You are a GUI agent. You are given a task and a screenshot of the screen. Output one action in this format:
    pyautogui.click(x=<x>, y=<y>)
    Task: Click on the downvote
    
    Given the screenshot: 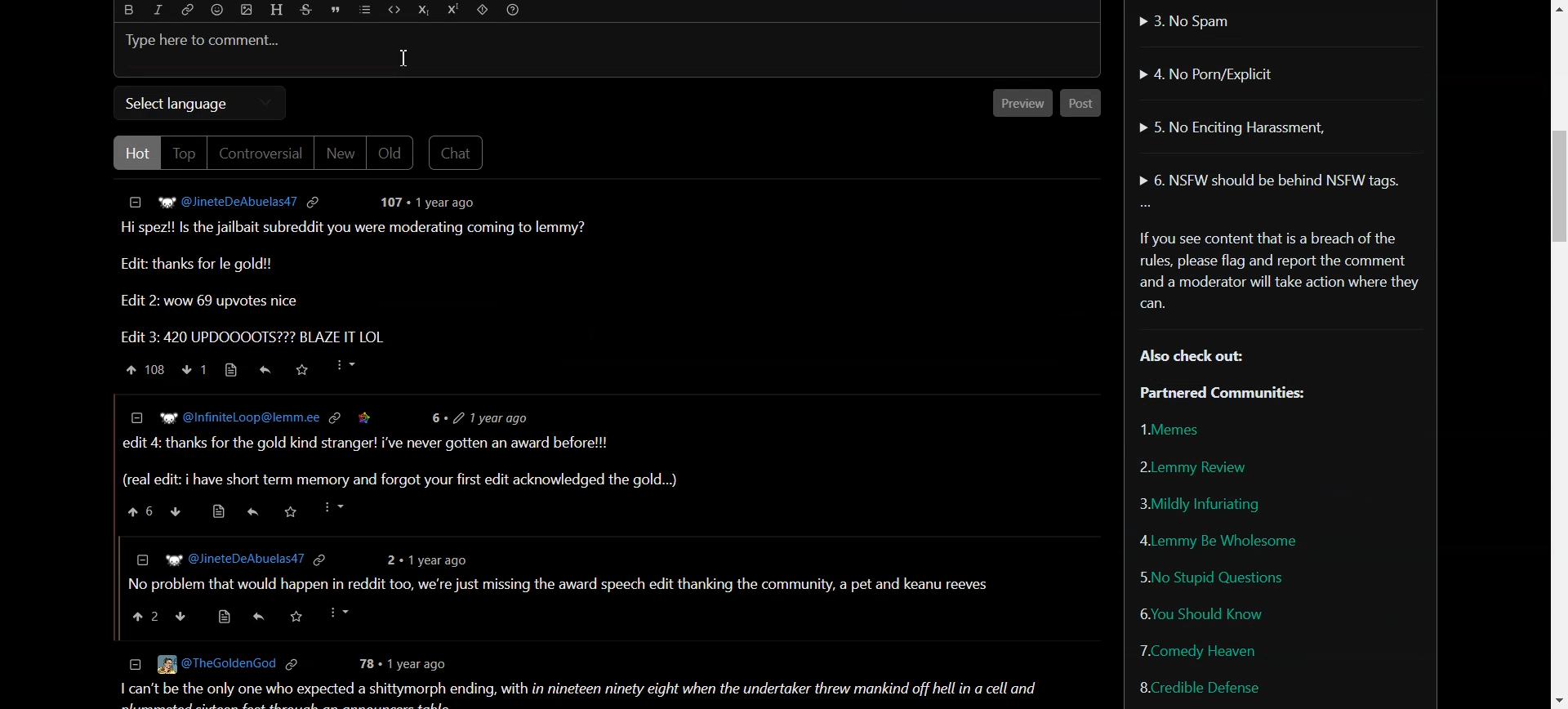 What is the action you would take?
    pyautogui.click(x=180, y=615)
    